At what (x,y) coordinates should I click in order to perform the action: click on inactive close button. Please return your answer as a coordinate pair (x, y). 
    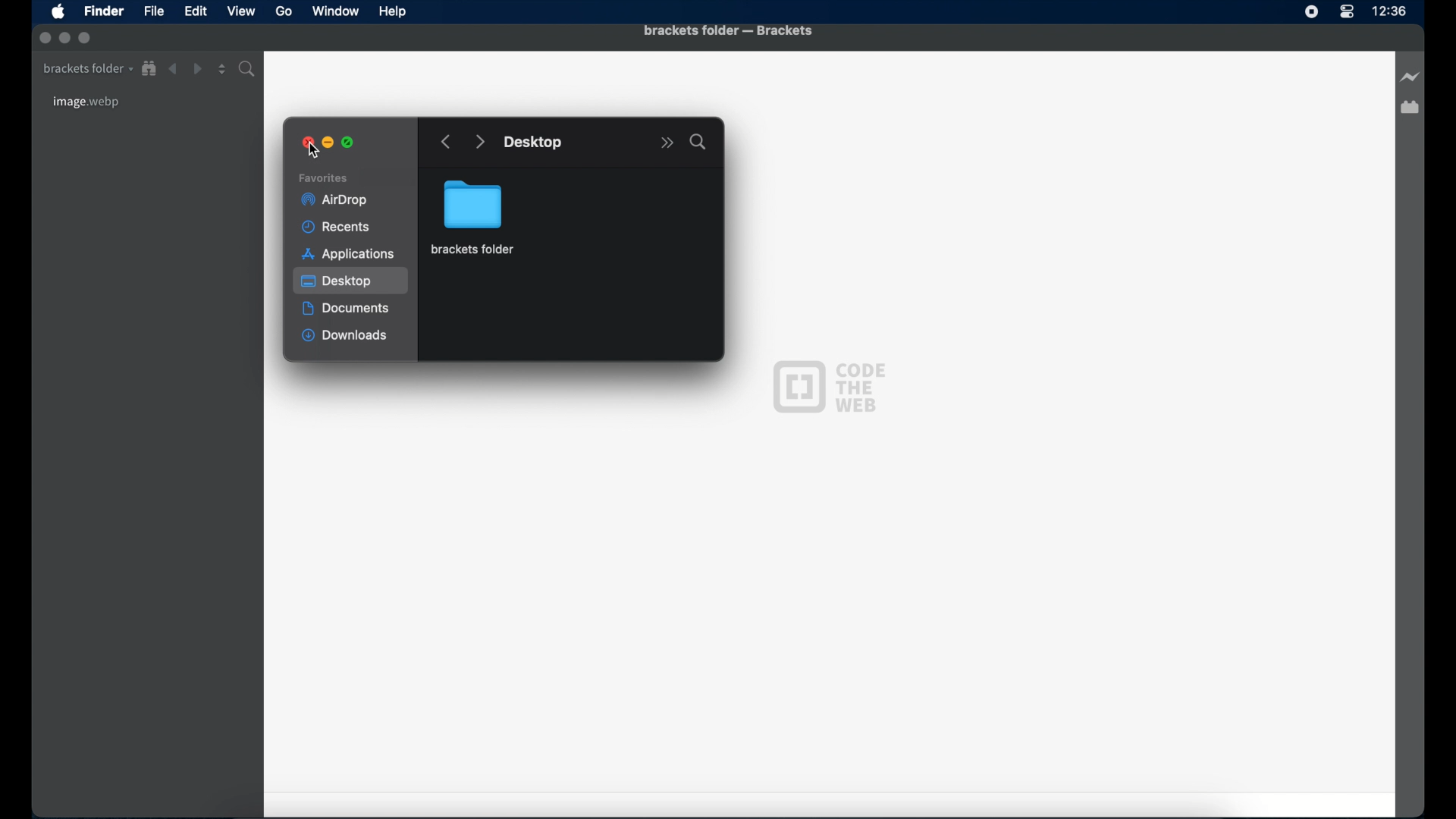
    Looking at the image, I should click on (45, 38).